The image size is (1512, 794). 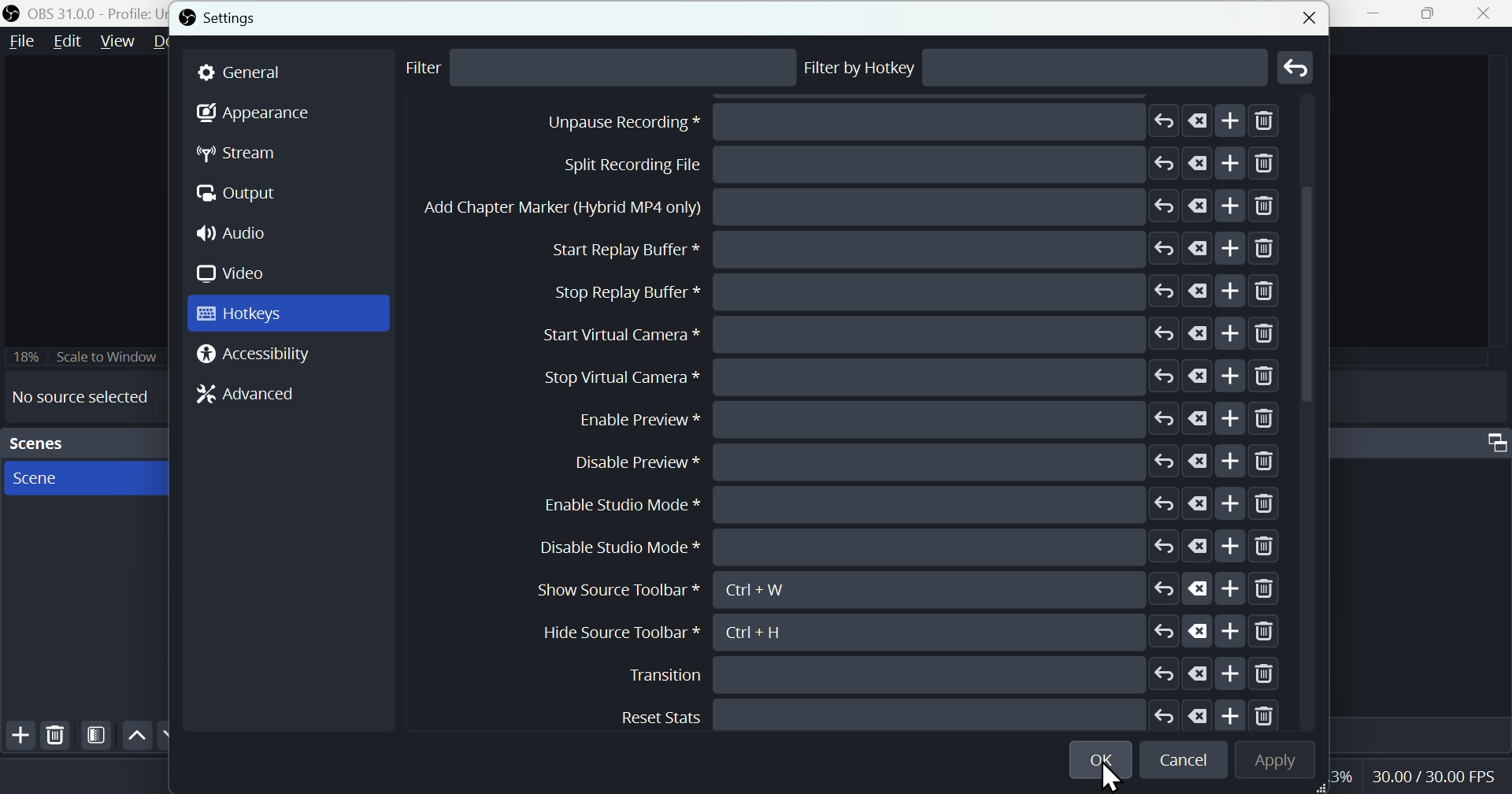 I want to click on Hot keys, so click(x=288, y=314).